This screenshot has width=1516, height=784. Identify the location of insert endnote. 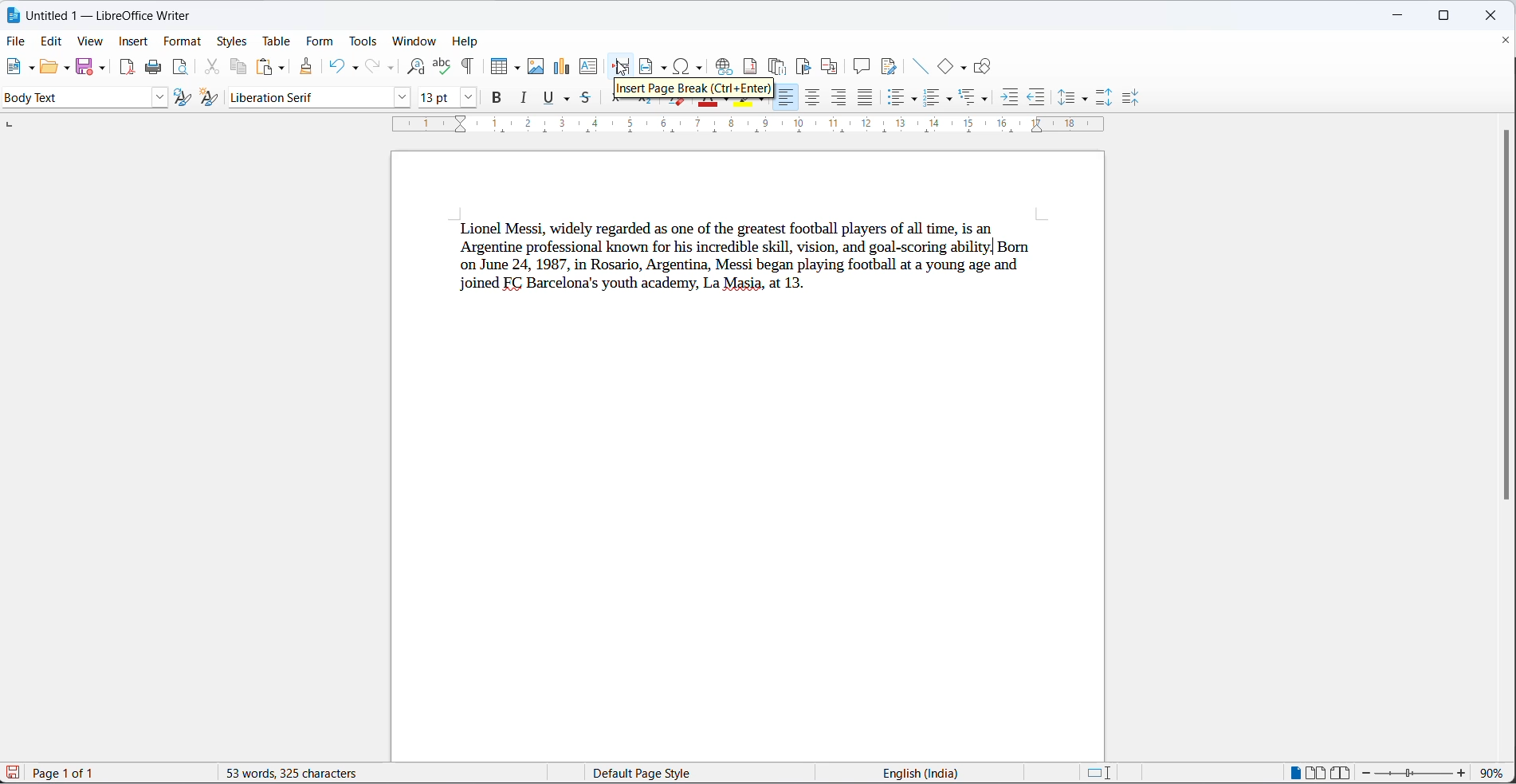
(779, 68).